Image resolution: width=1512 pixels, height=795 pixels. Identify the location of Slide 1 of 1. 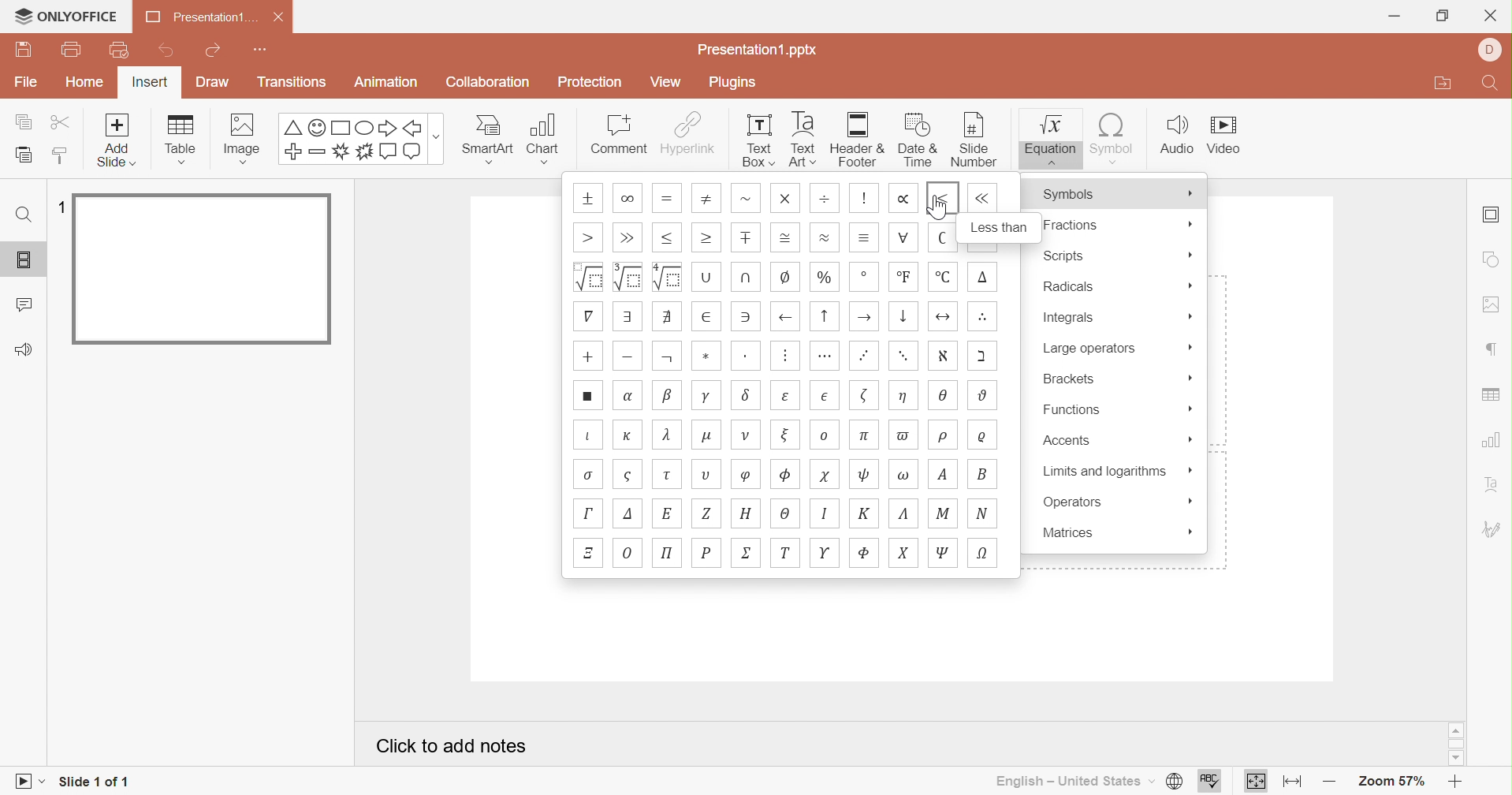
(96, 782).